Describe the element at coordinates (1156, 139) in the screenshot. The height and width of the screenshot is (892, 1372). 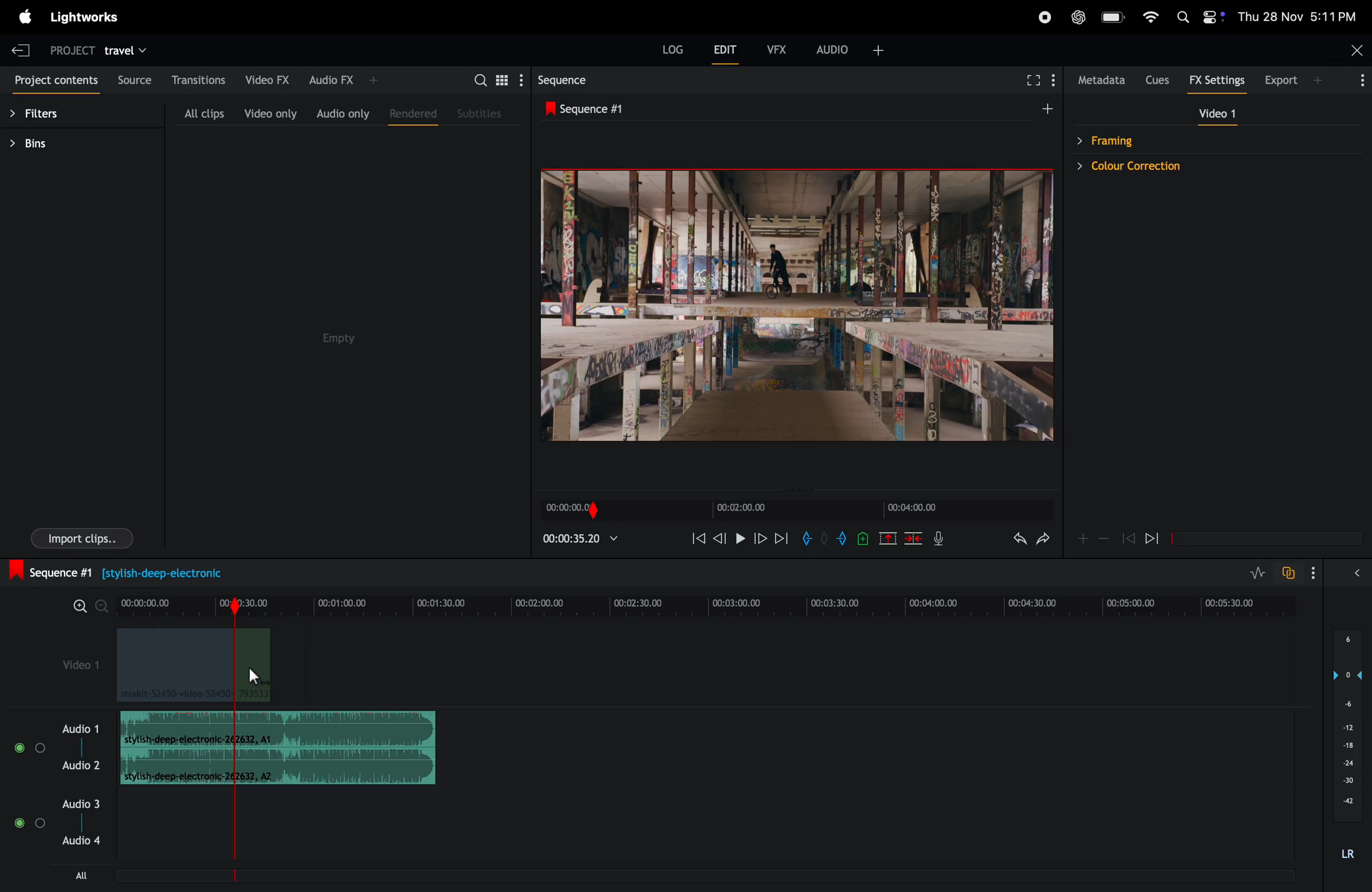
I see `framing` at that location.